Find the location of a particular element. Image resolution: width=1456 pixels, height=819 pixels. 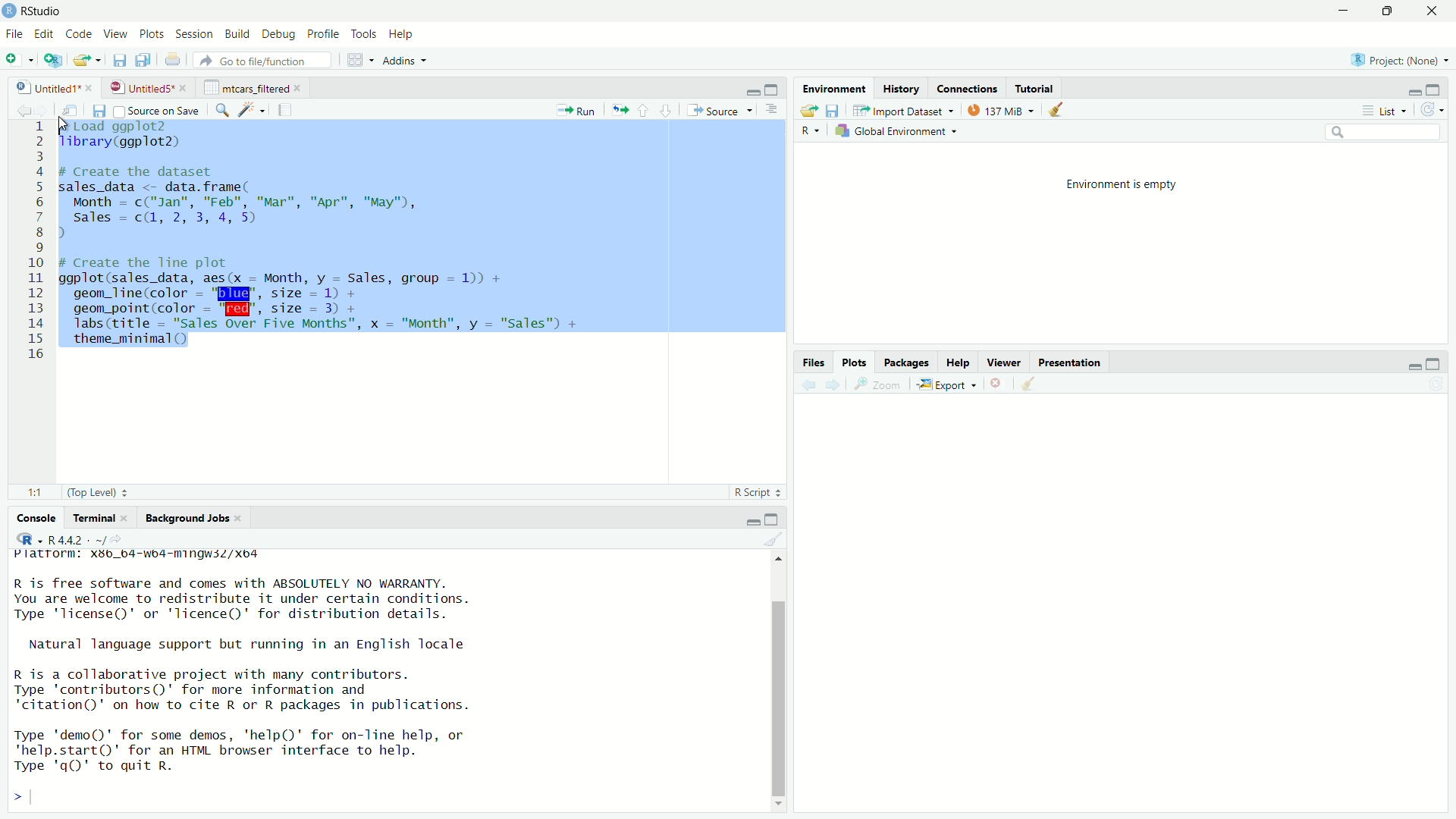

maximize is located at coordinates (1393, 11).